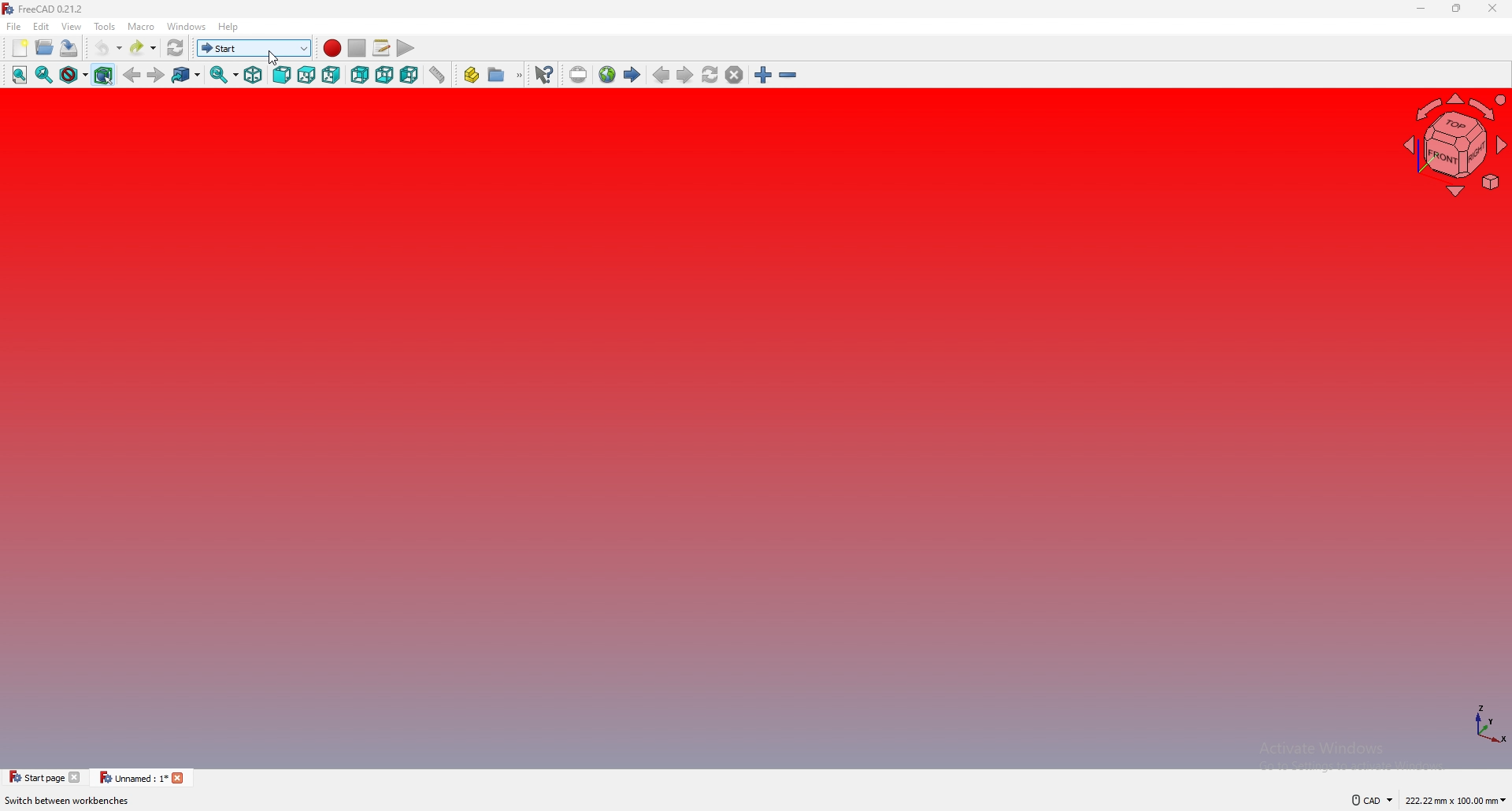 The image size is (1512, 811). I want to click on redo, so click(144, 47).